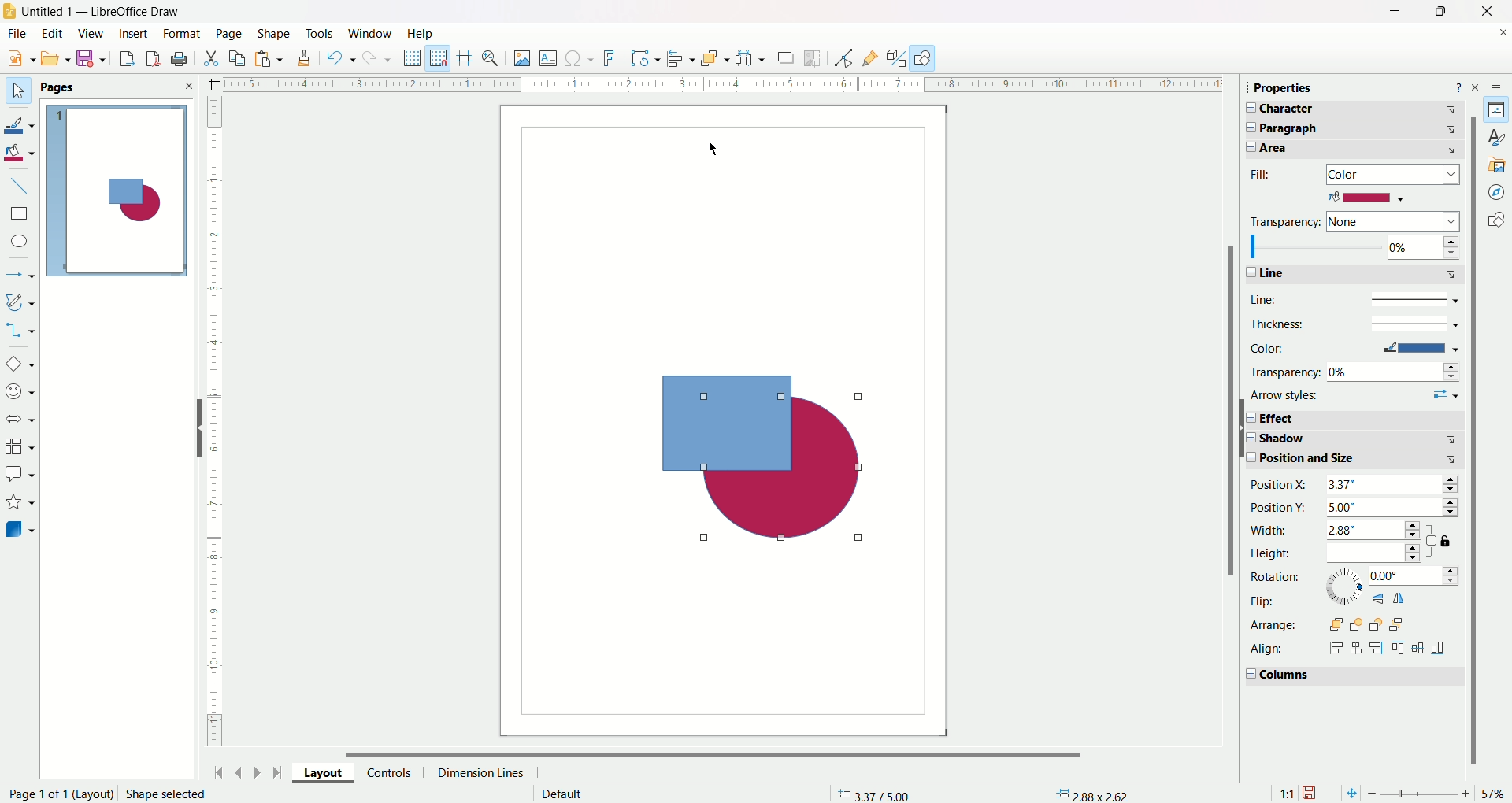  Describe the element at coordinates (21, 272) in the screenshot. I see `lines and arrows` at that location.